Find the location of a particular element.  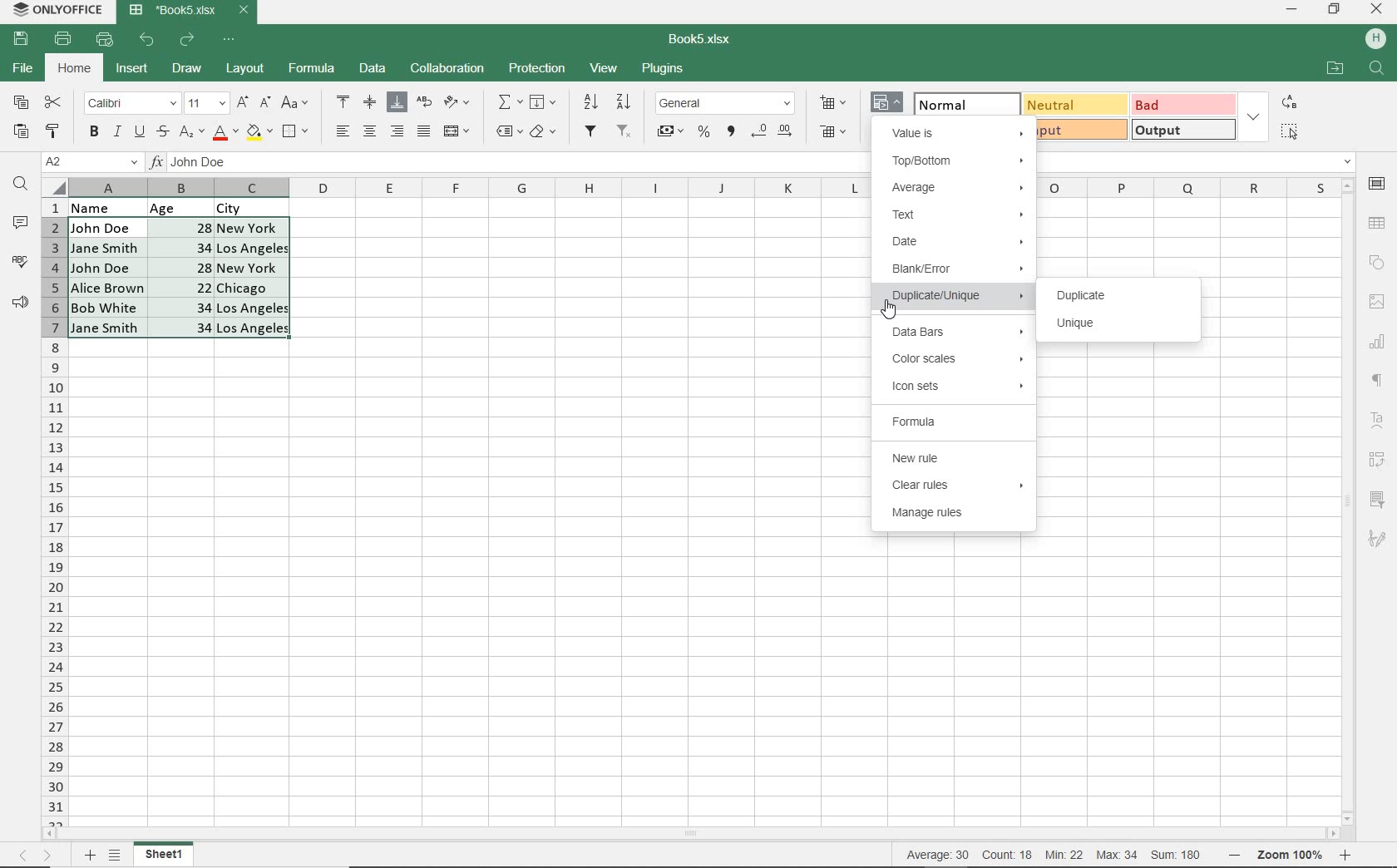

FIND is located at coordinates (21, 185).